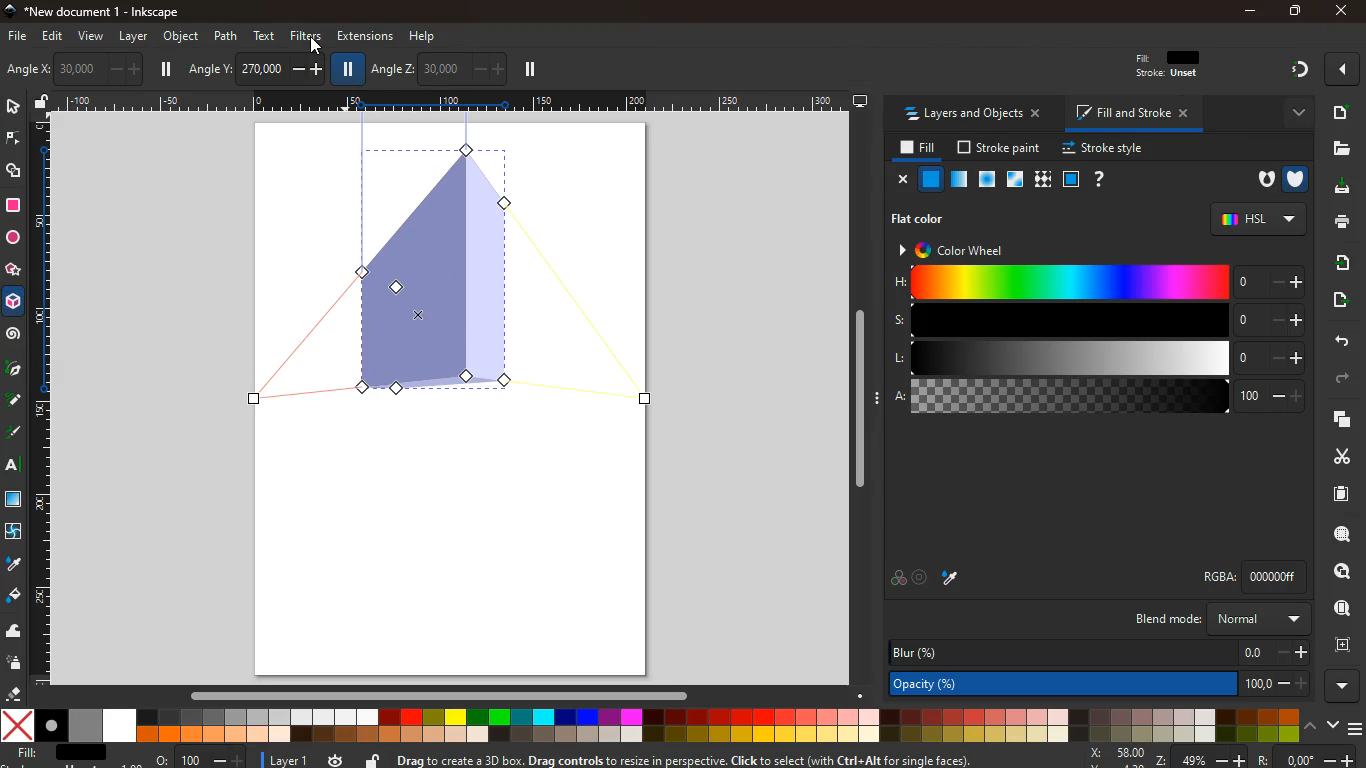 Image resolution: width=1366 pixels, height=768 pixels. Describe the element at coordinates (266, 35) in the screenshot. I see `text` at that location.